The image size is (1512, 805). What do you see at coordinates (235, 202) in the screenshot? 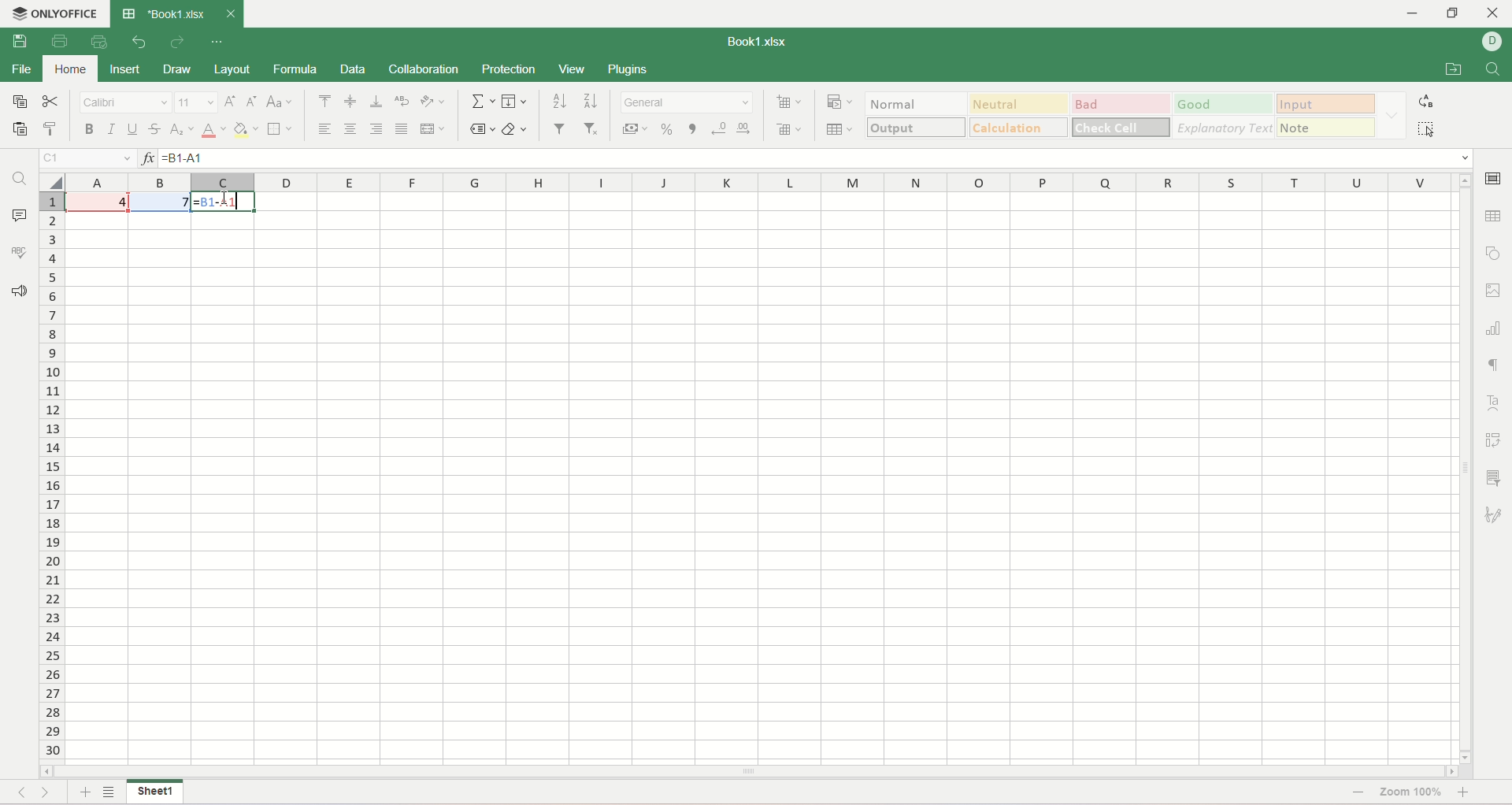
I see `cursor` at bounding box center [235, 202].